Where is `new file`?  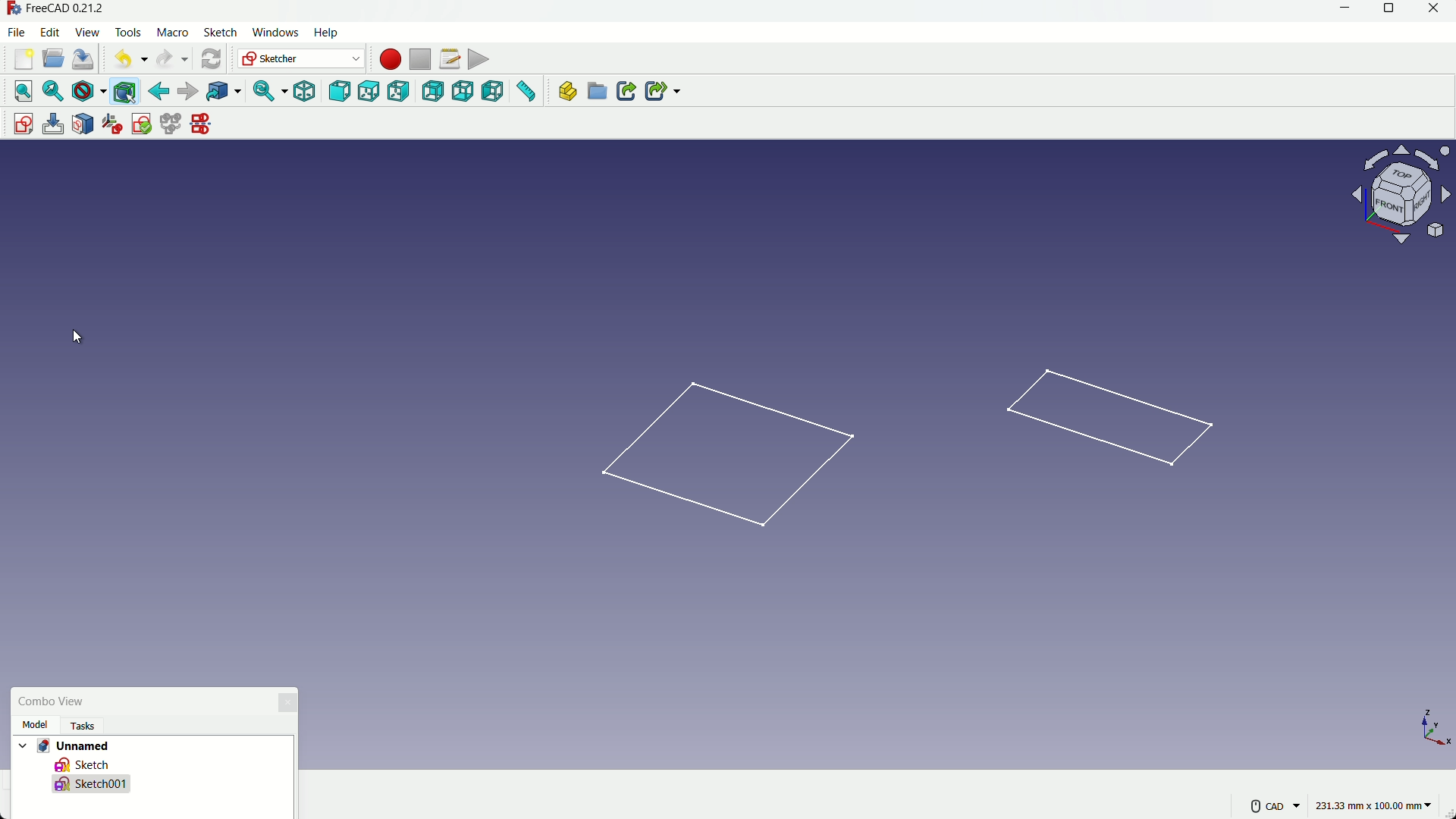 new file is located at coordinates (24, 59).